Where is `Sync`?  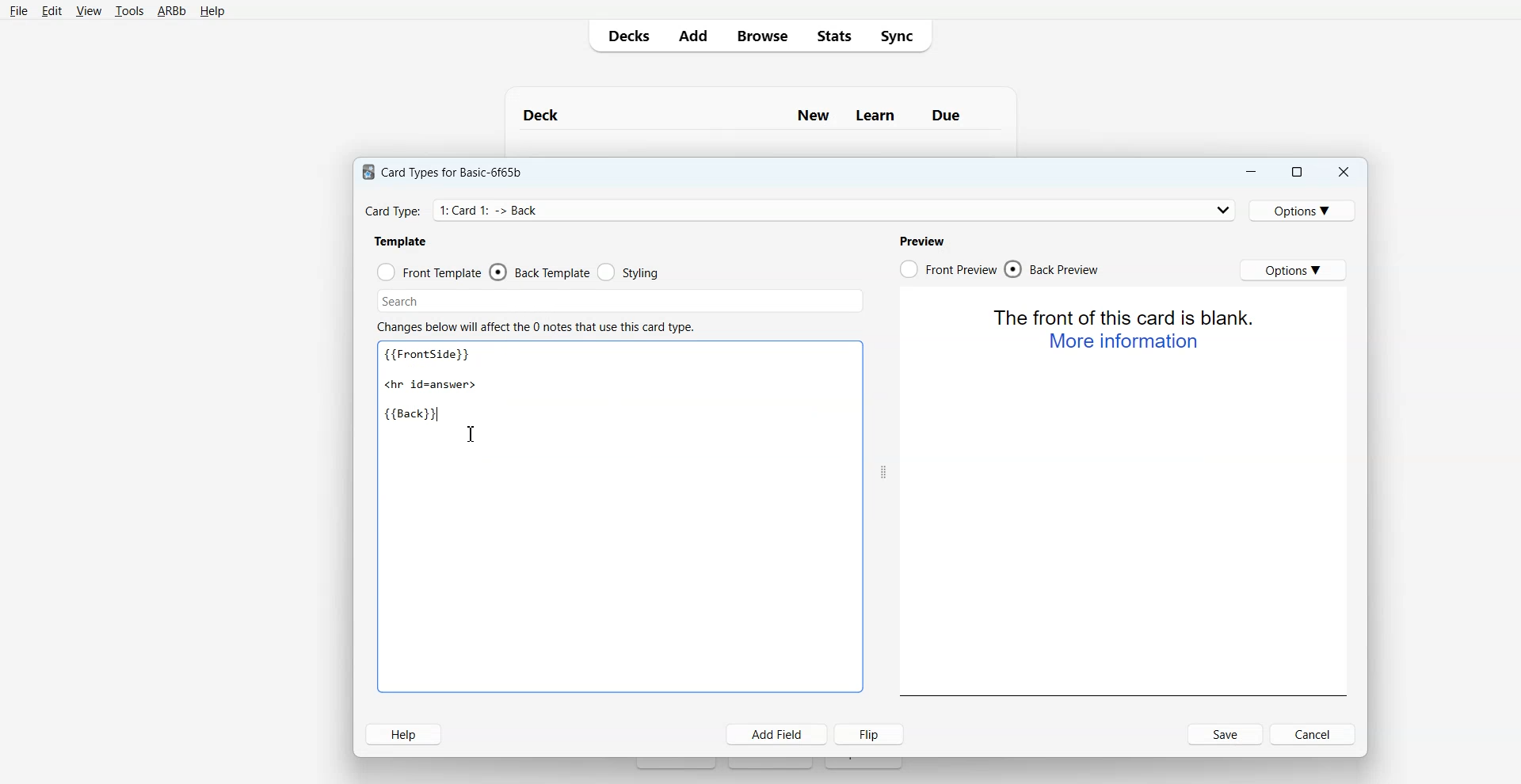 Sync is located at coordinates (902, 36).